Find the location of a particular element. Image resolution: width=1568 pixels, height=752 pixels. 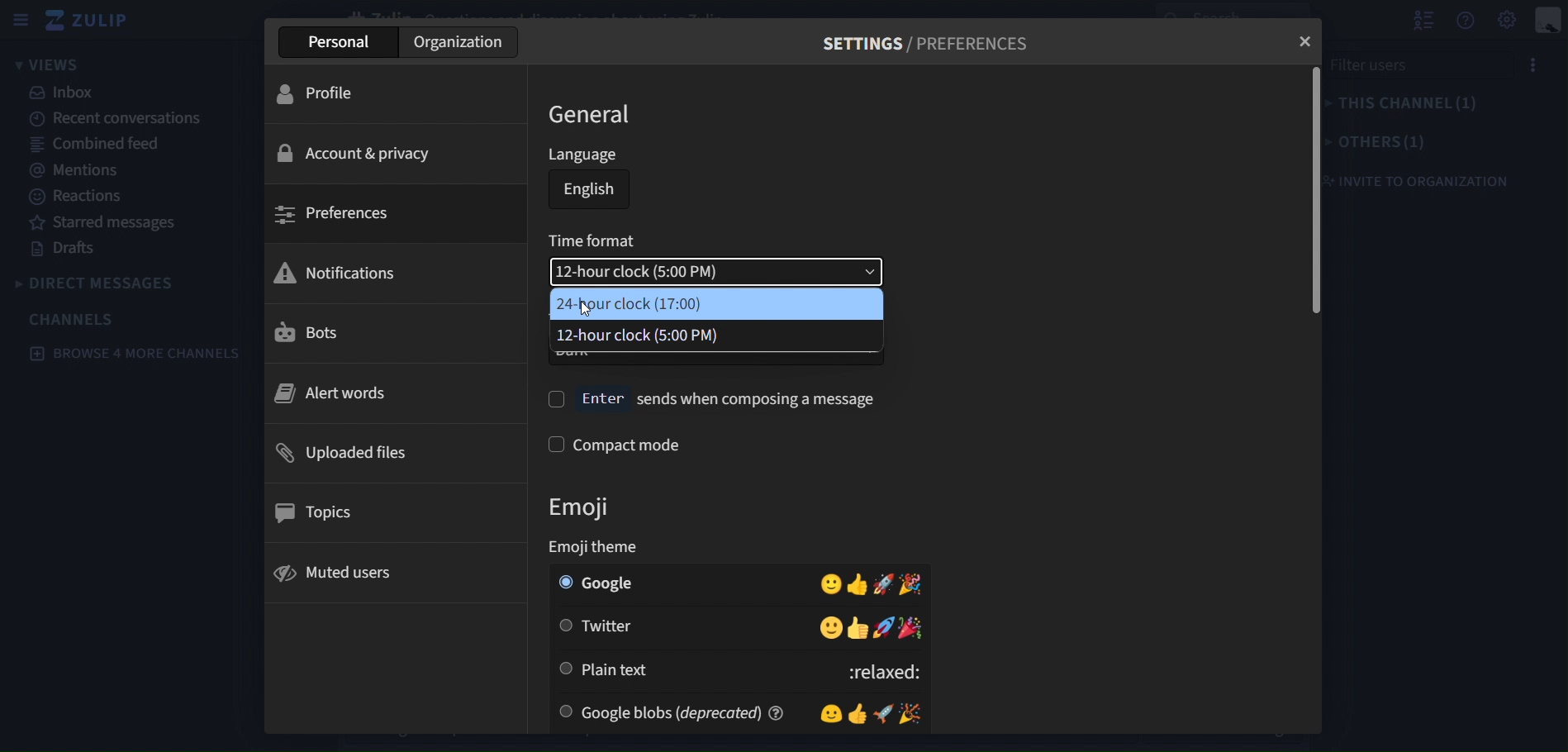

time format is located at coordinates (600, 240).